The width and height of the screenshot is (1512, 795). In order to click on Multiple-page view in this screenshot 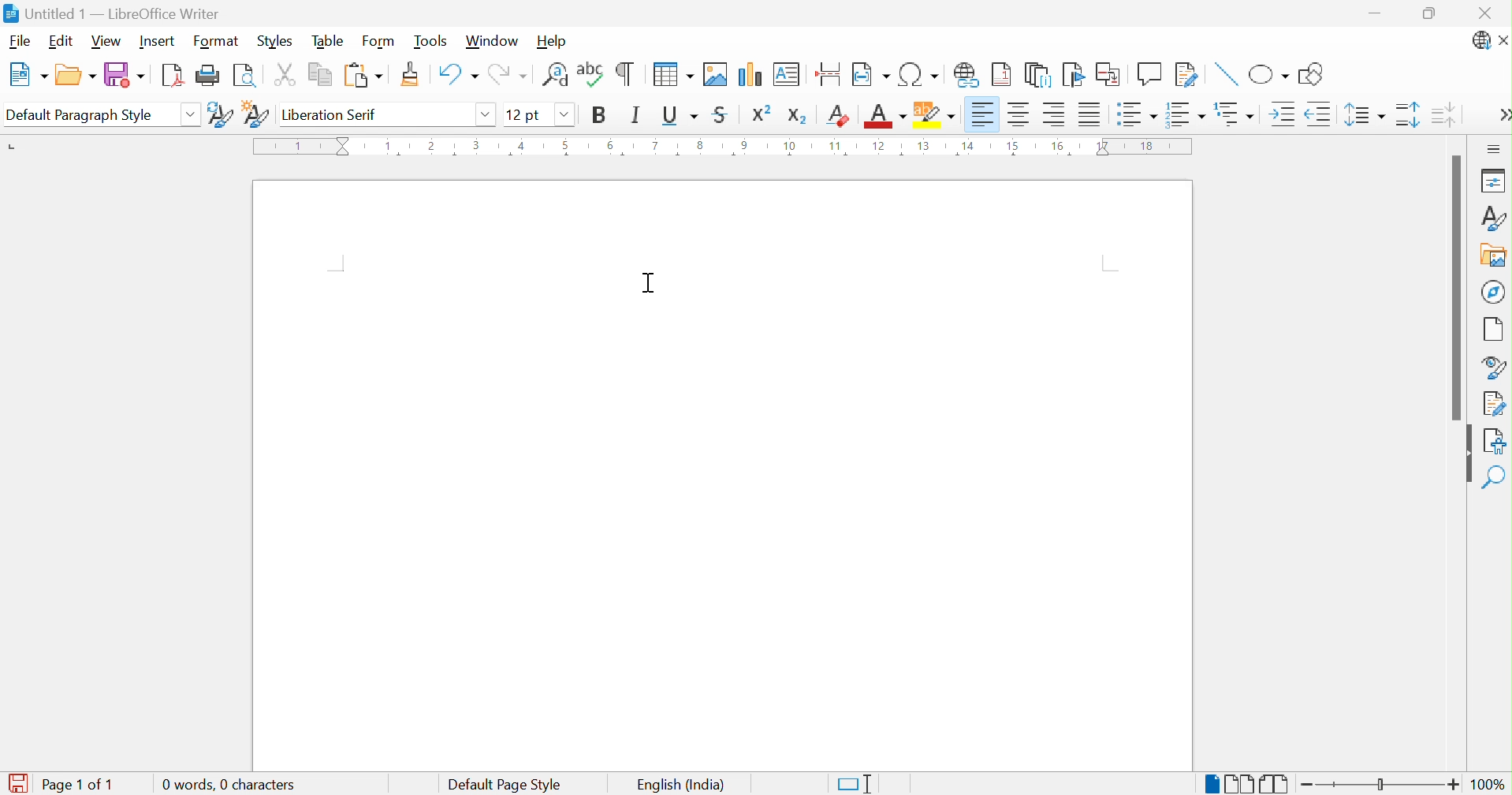, I will do `click(1241, 783)`.